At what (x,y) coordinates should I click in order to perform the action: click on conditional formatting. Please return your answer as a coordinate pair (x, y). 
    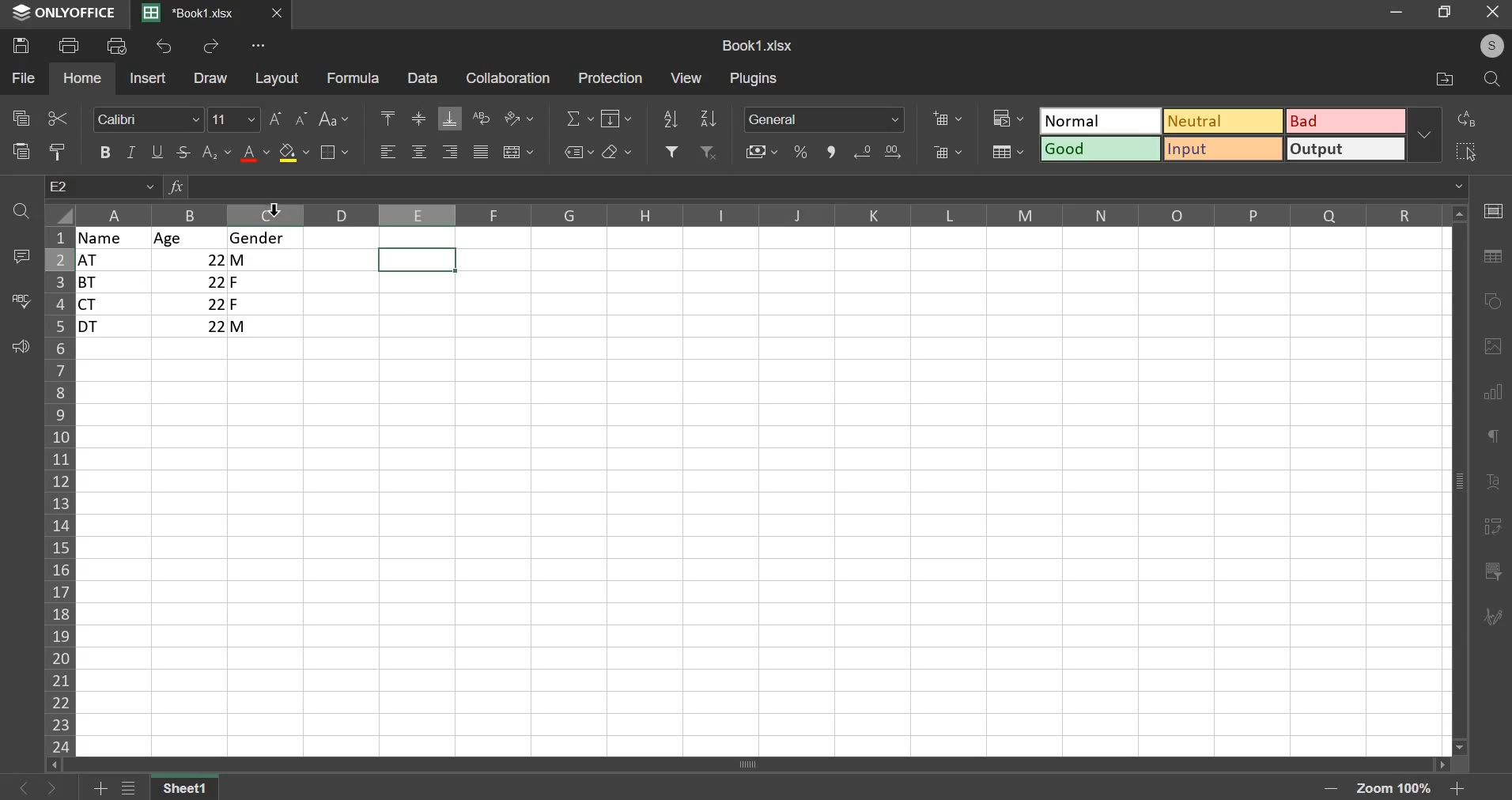
    Looking at the image, I should click on (1006, 117).